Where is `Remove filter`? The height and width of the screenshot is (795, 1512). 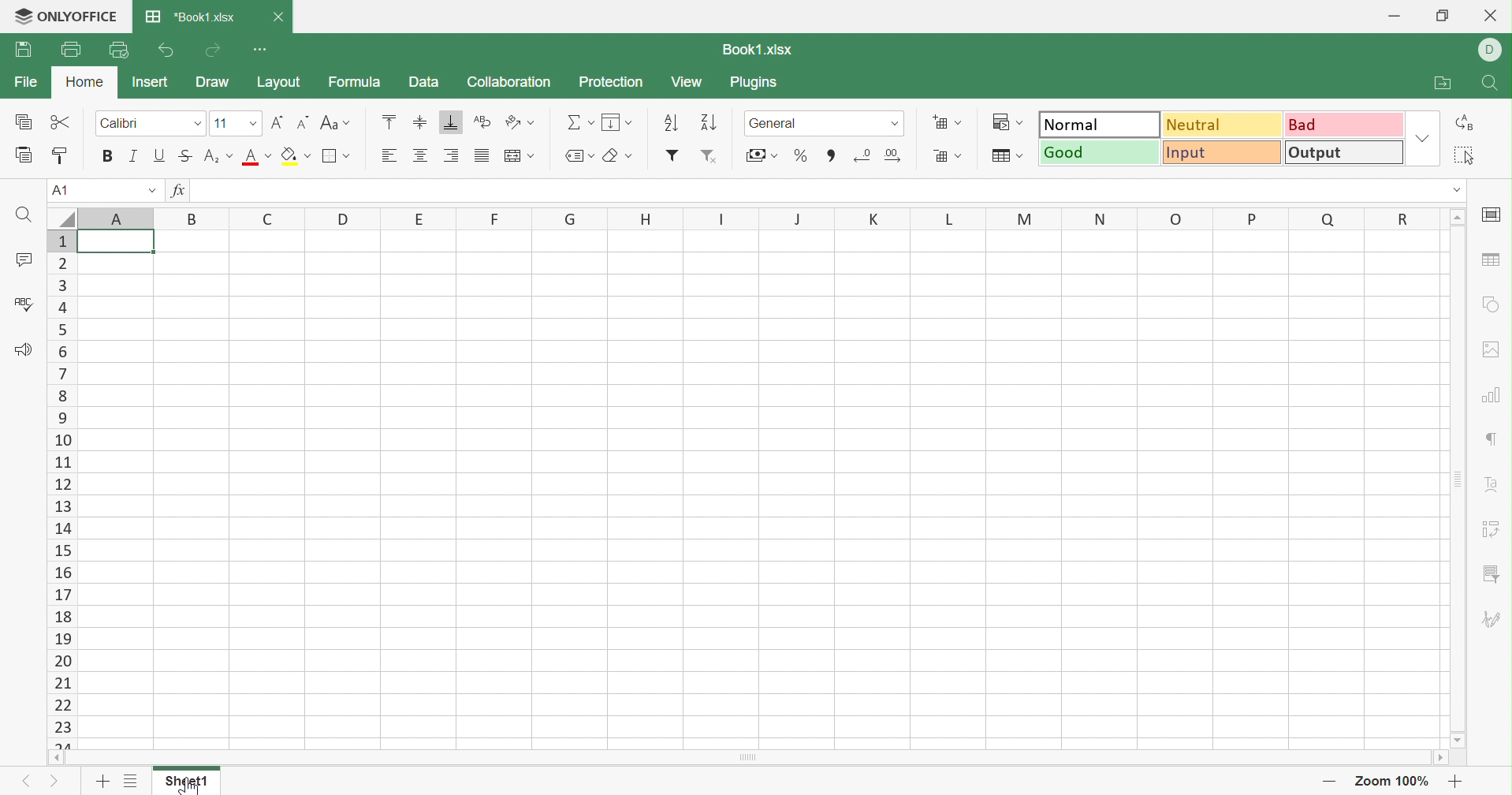 Remove filter is located at coordinates (709, 155).